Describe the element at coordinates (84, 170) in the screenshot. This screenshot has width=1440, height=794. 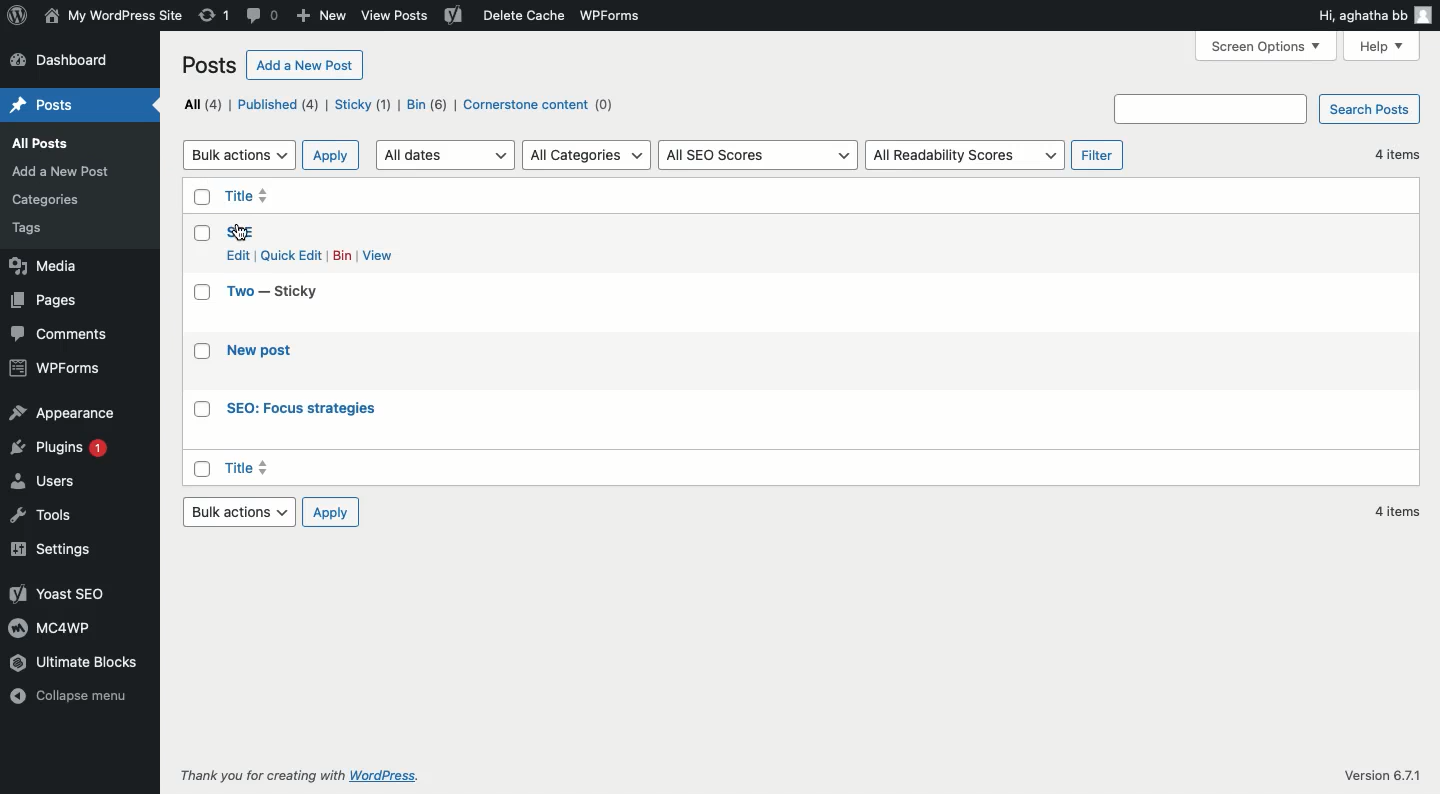
I see `Add a New Post` at that location.